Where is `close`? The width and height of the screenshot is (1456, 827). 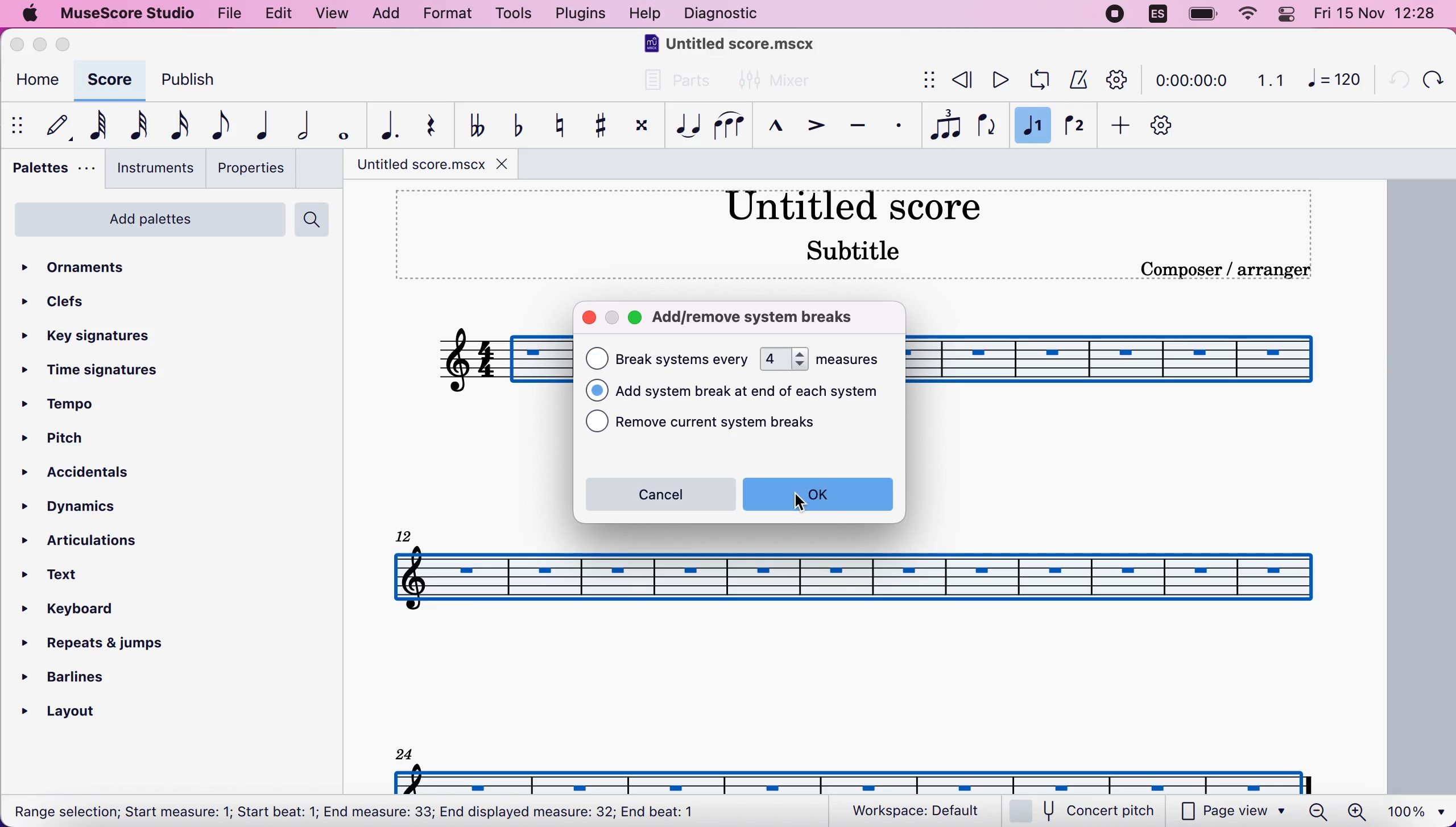
close is located at coordinates (506, 163).